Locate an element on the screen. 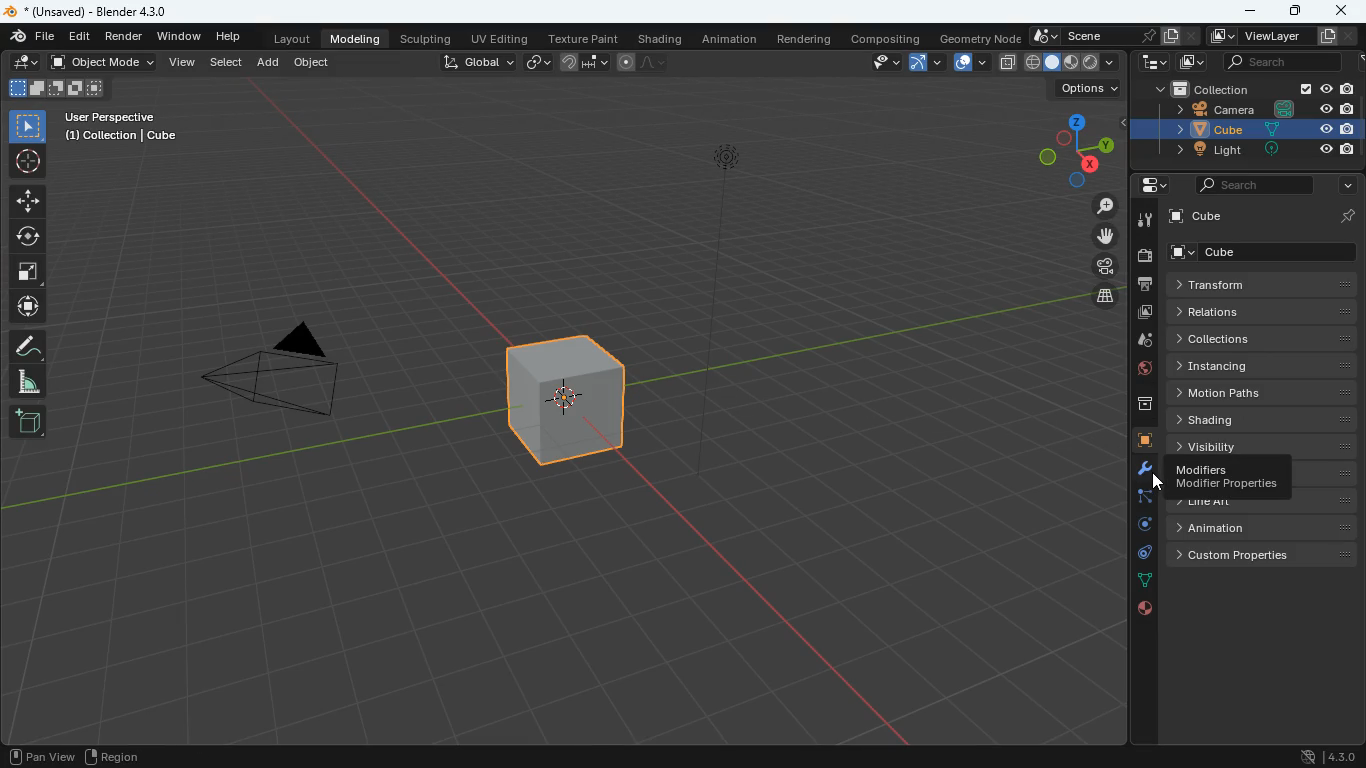 The height and width of the screenshot is (768, 1366). help is located at coordinates (233, 36).